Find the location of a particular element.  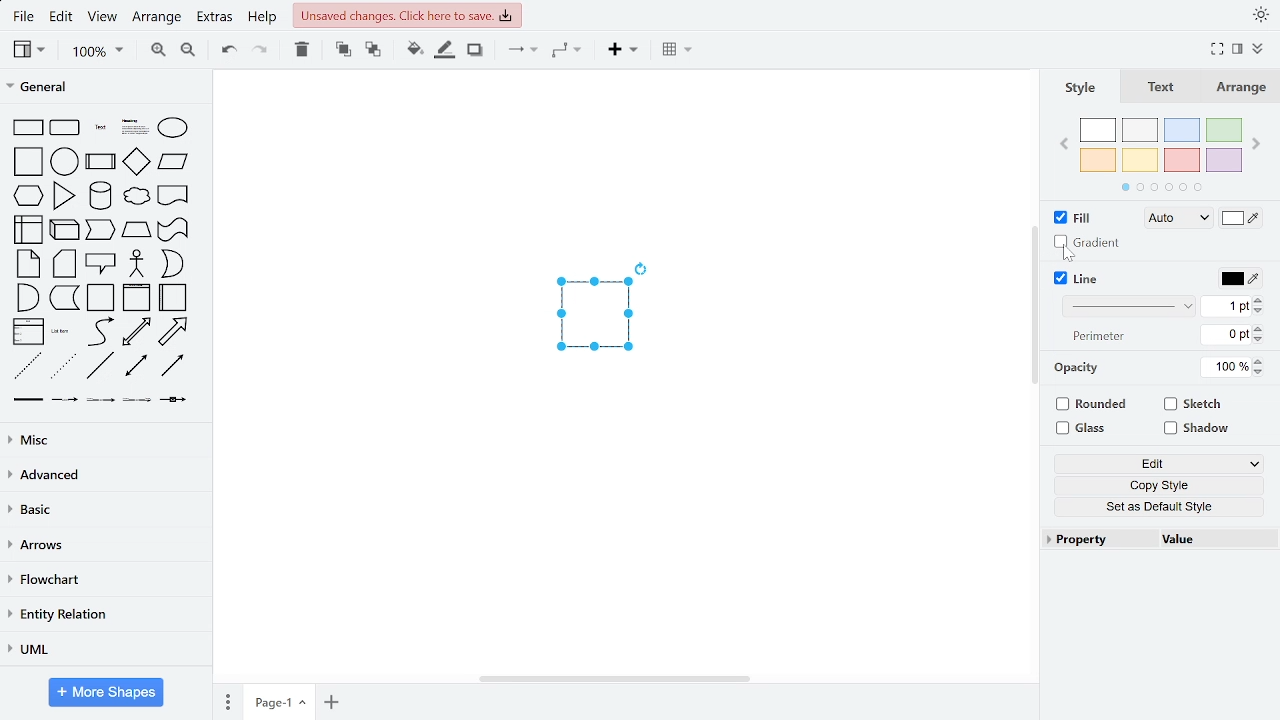

unsaved changes. Click here to save is located at coordinates (410, 16).